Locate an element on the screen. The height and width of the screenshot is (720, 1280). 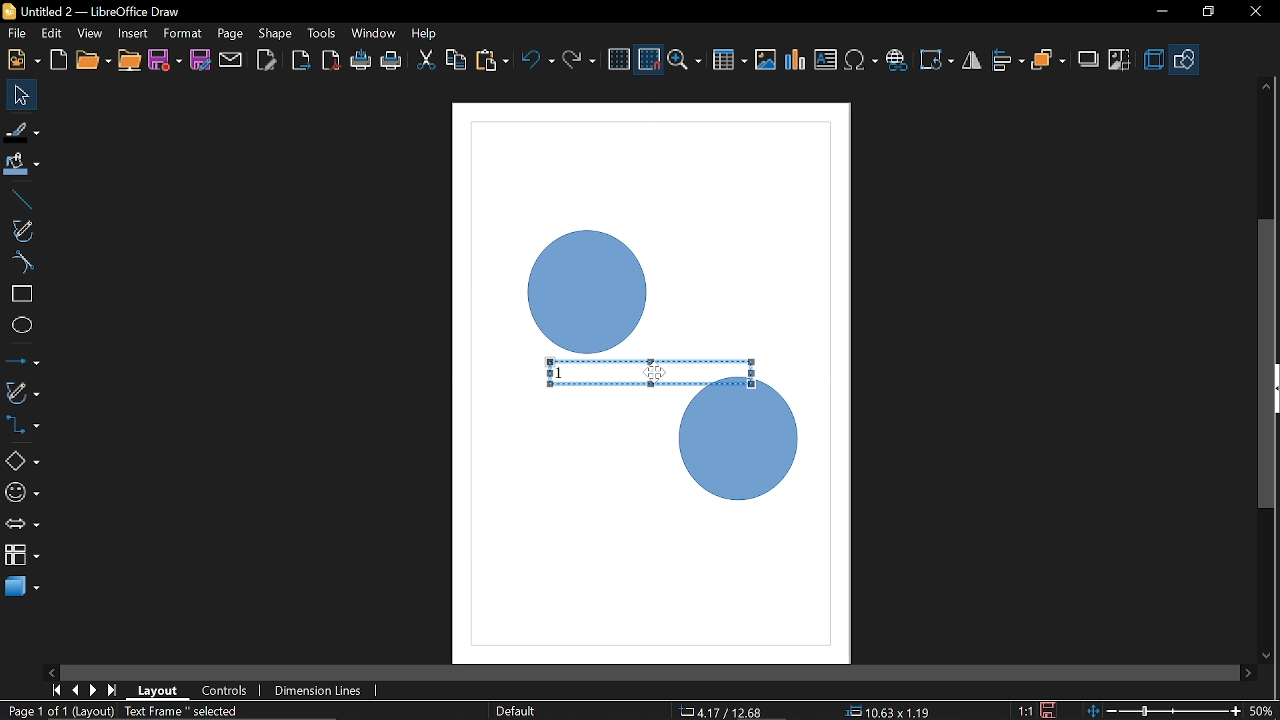
Shapes is located at coordinates (21, 460).